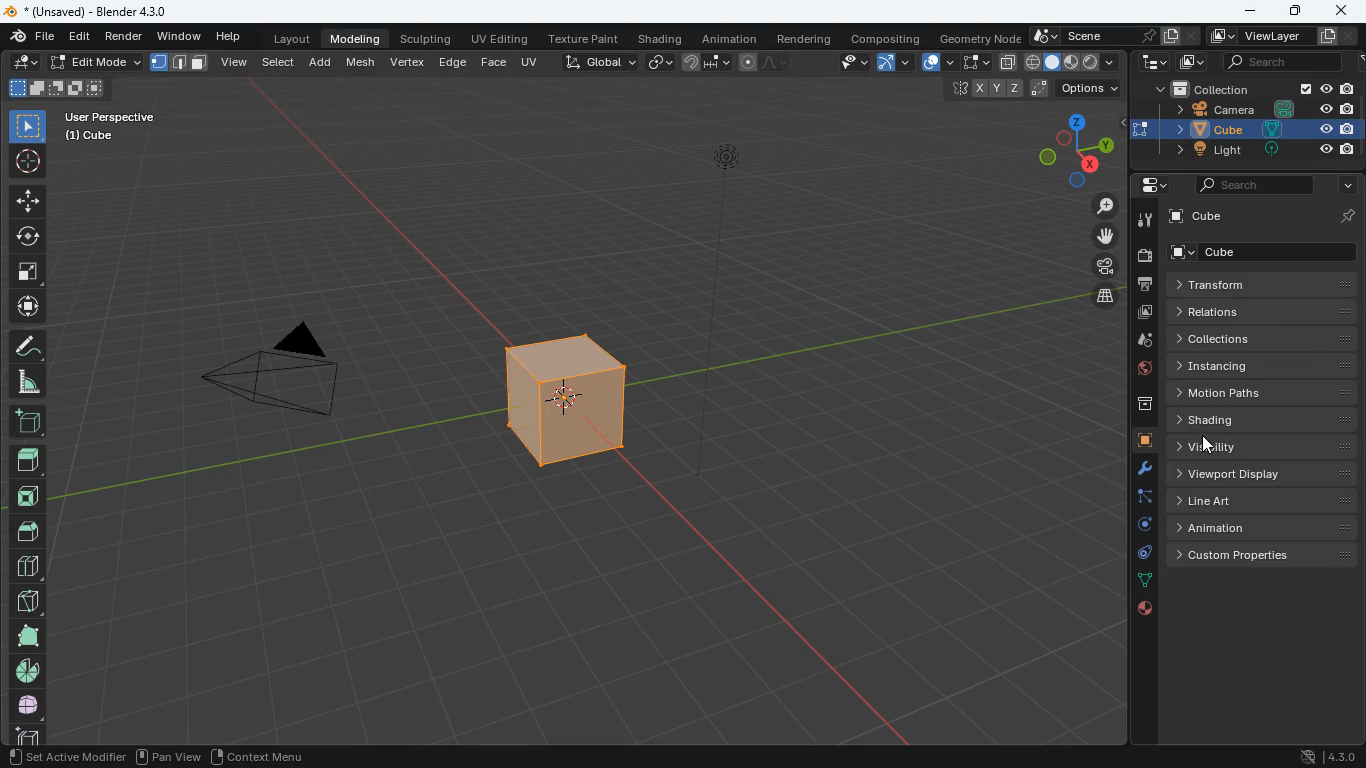 This screenshot has width=1366, height=768. Describe the element at coordinates (1266, 501) in the screenshot. I see `line art` at that location.